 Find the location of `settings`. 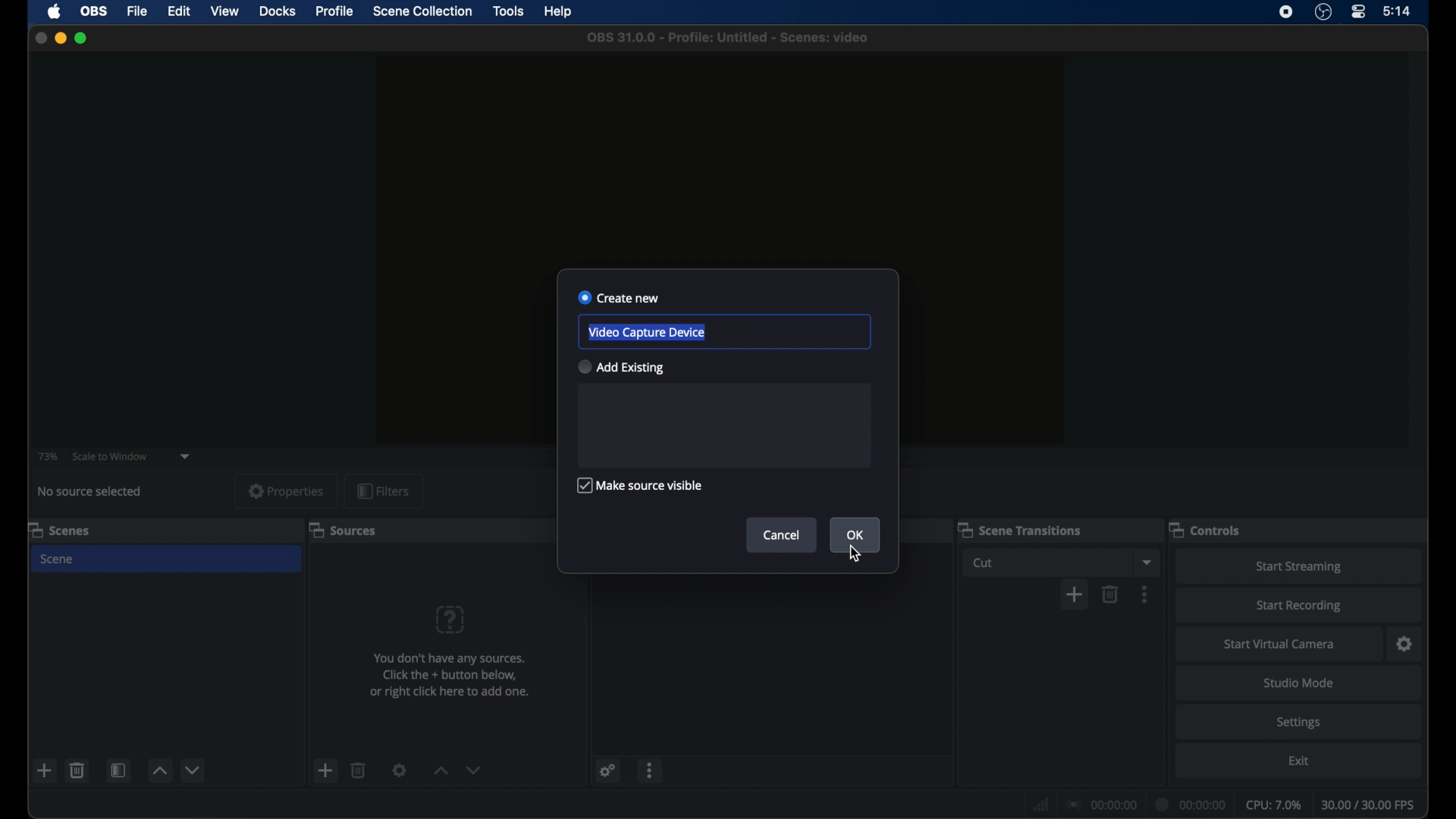

settings is located at coordinates (400, 770).